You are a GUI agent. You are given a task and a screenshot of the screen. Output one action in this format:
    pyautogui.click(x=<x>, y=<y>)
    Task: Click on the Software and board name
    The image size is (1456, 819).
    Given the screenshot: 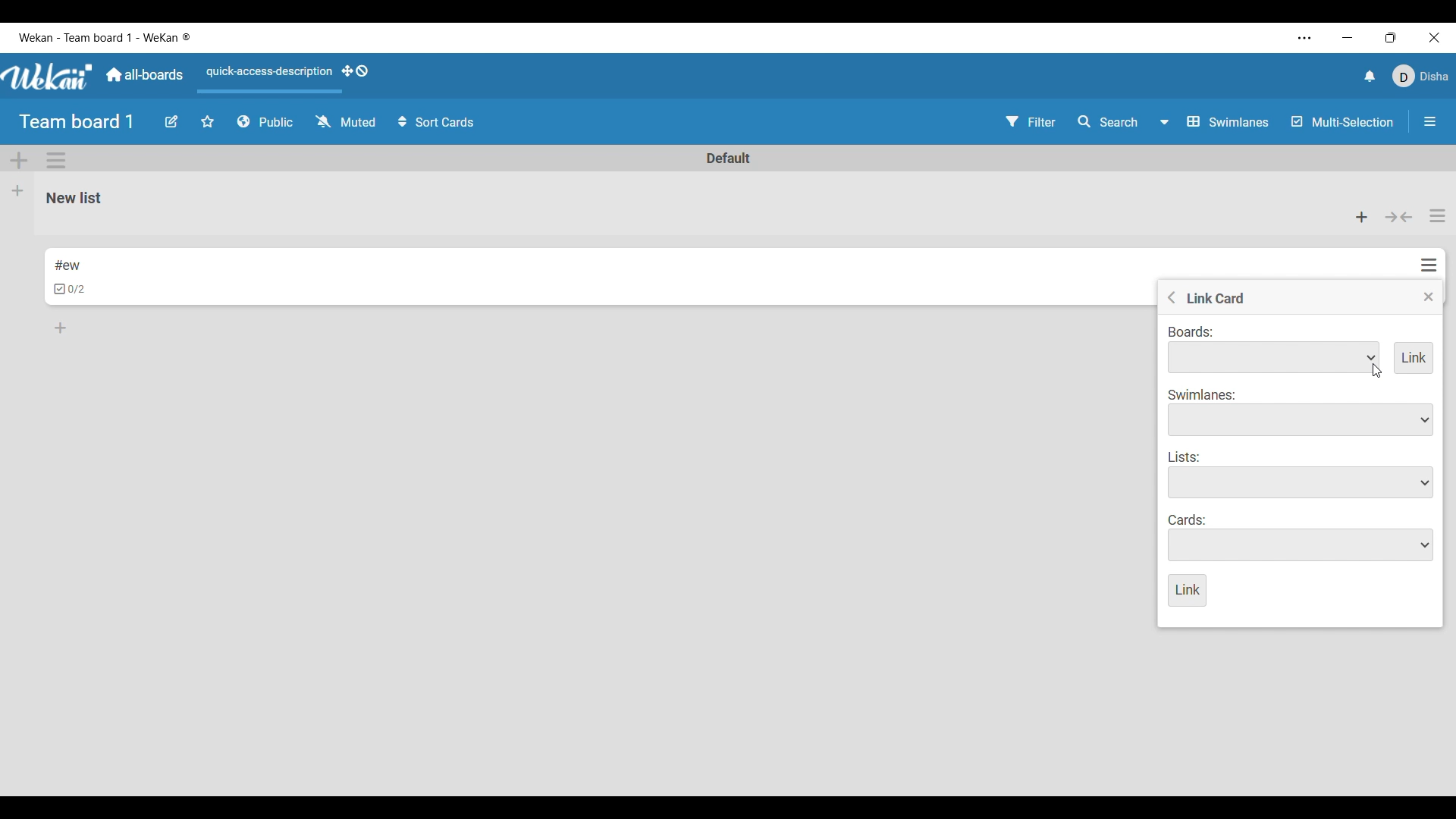 What is the action you would take?
    pyautogui.click(x=105, y=37)
    